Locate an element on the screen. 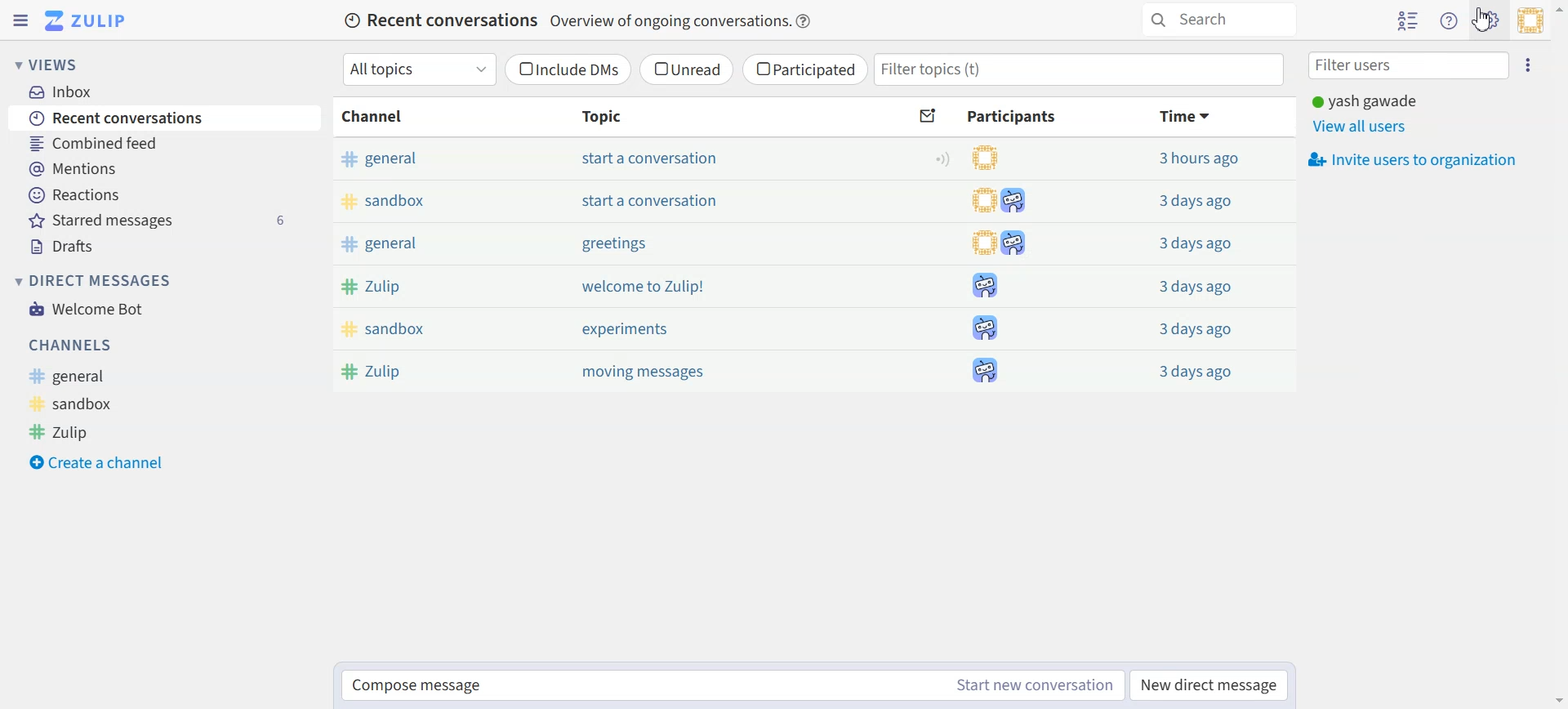 This screenshot has width=1568, height=709. 3 days ago is located at coordinates (1192, 202).